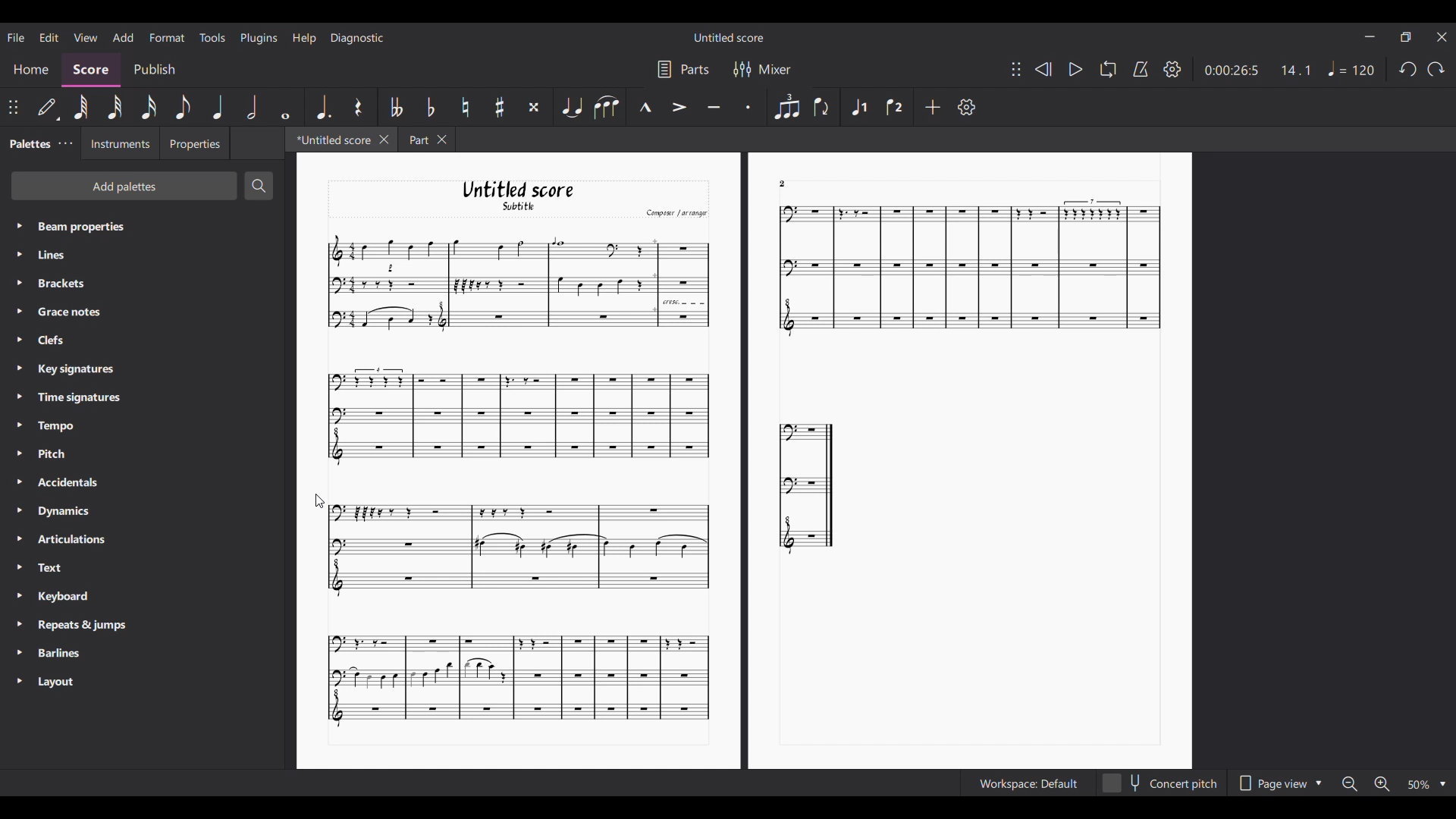  Describe the element at coordinates (17, 37) in the screenshot. I see `File menu` at that location.